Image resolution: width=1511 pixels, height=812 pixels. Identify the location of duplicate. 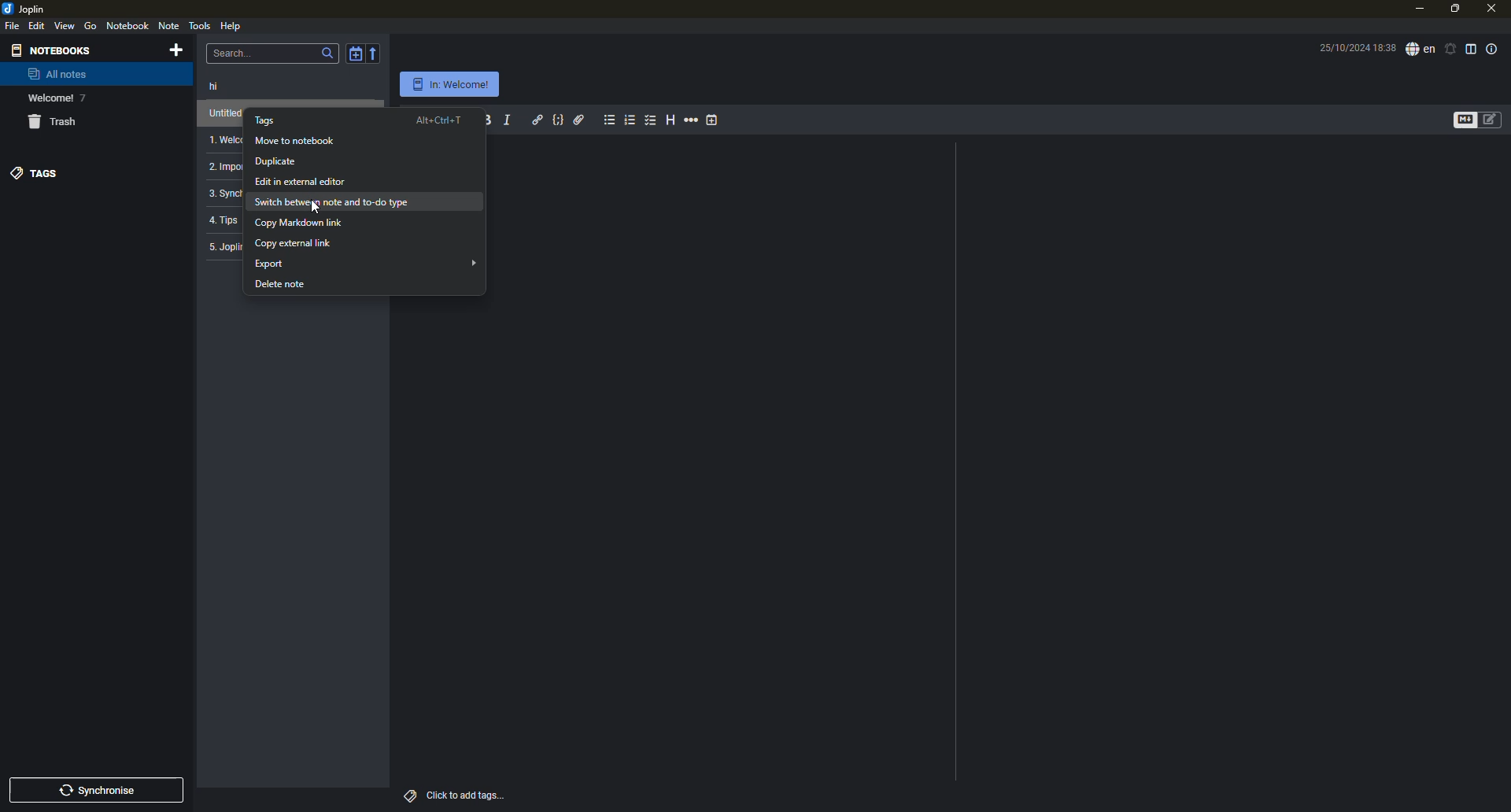
(284, 161).